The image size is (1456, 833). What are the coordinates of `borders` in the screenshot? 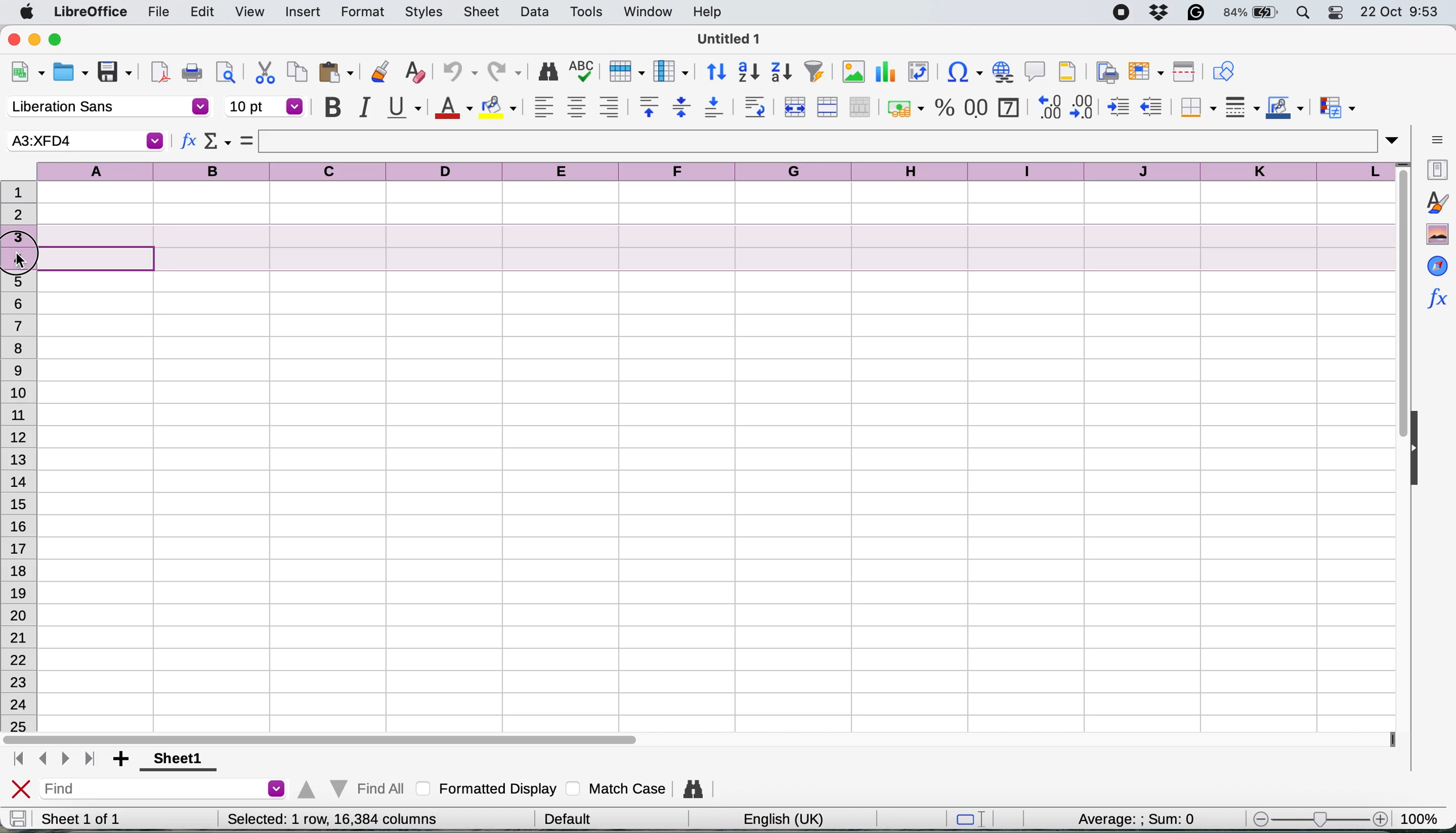 It's located at (1196, 108).